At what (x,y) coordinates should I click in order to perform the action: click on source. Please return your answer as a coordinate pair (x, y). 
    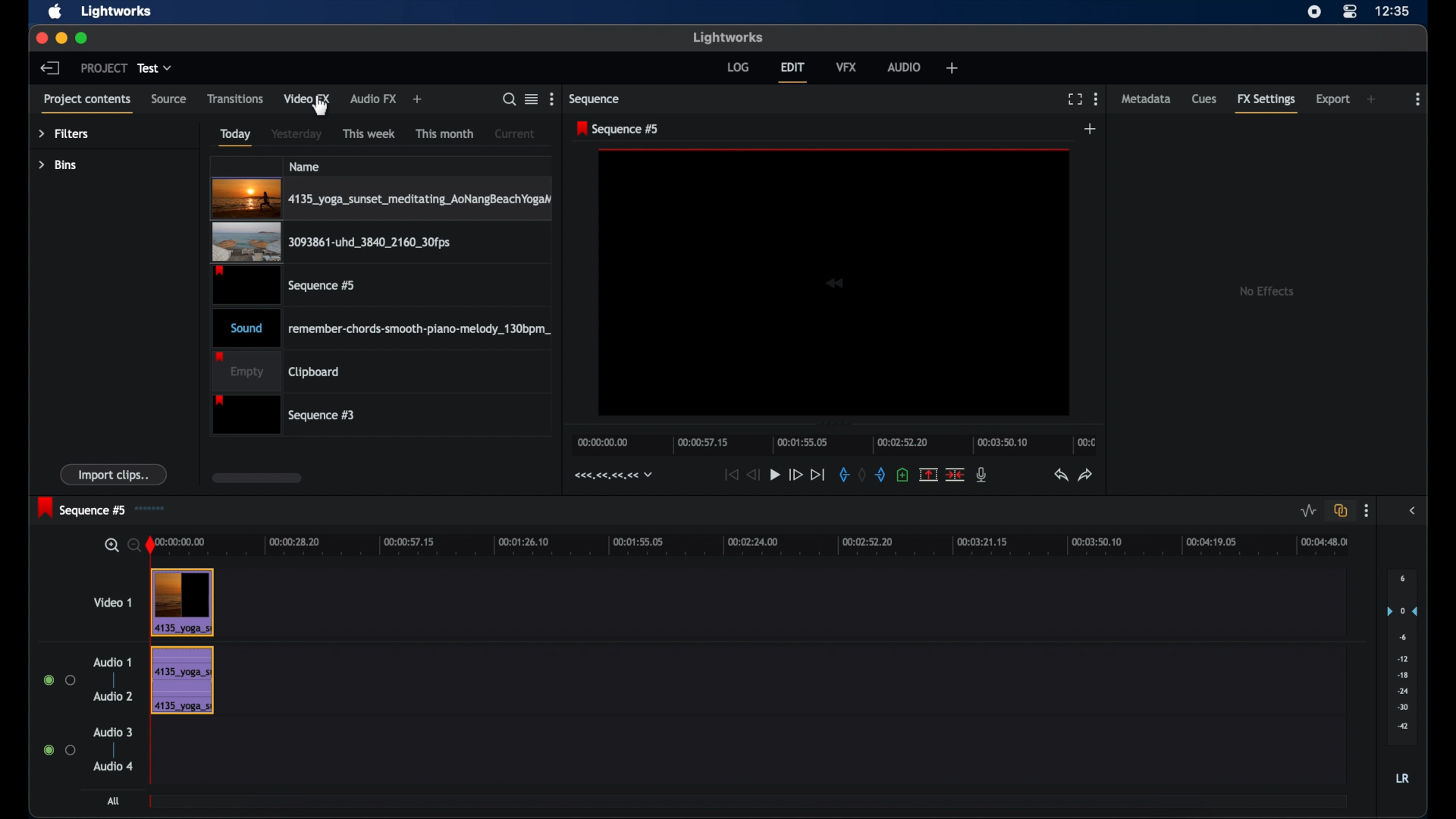
    Looking at the image, I should click on (169, 99).